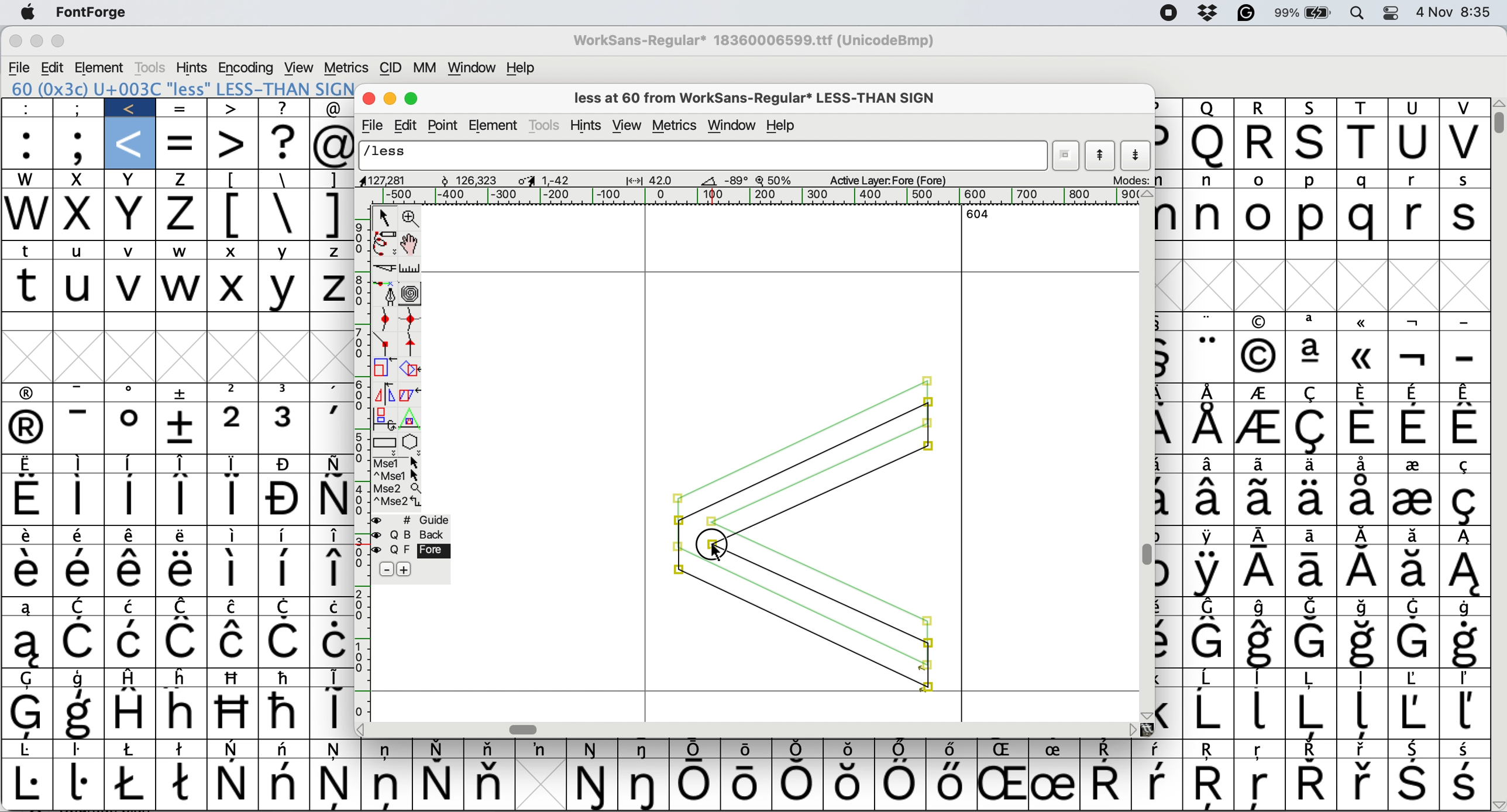  Describe the element at coordinates (629, 124) in the screenshot. I see `view` at that location.